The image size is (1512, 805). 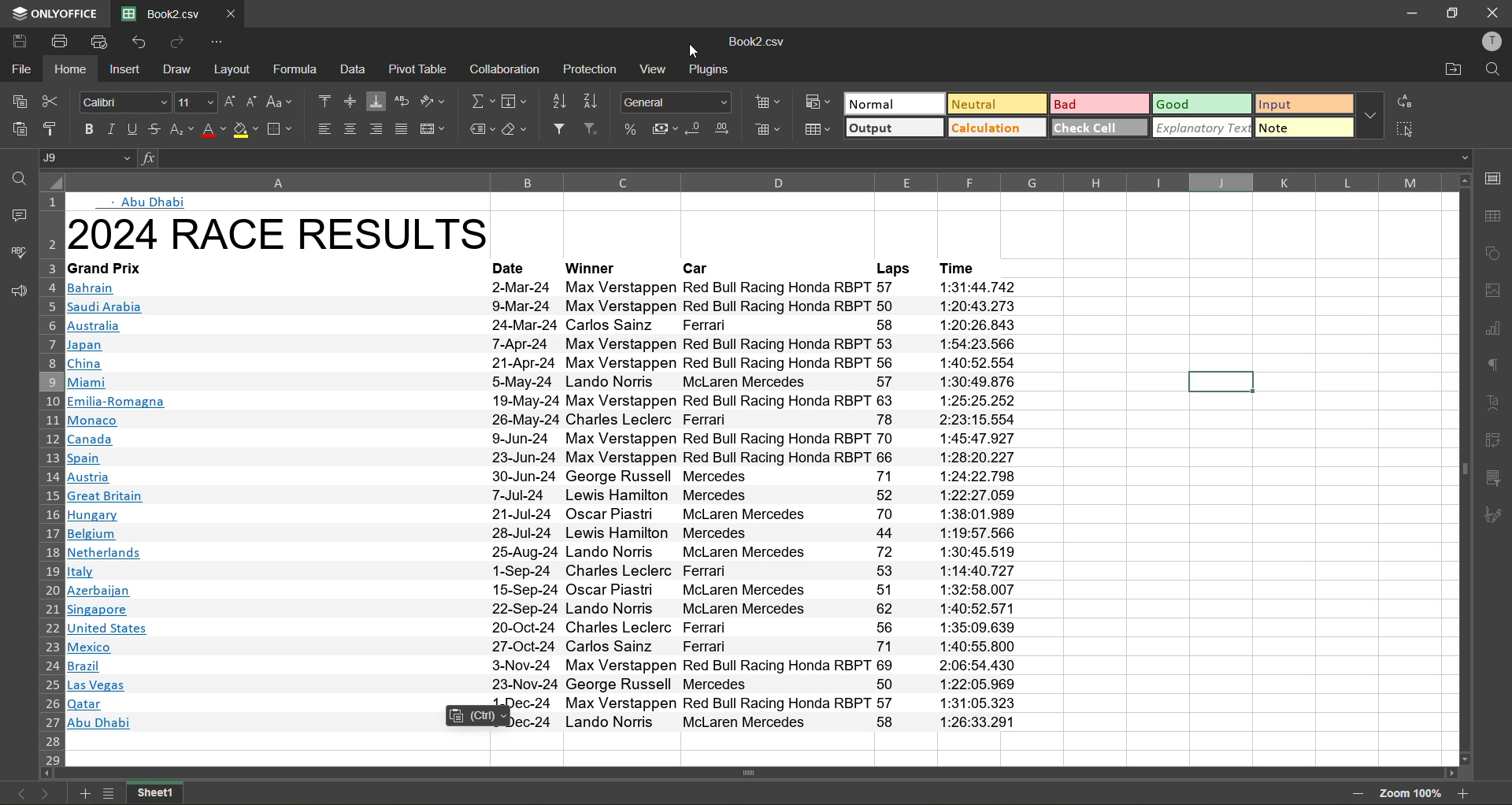 What do you see at coordinates (1304, 103) in the screenshot?
I see `input` at bounding box center [1304, 103].